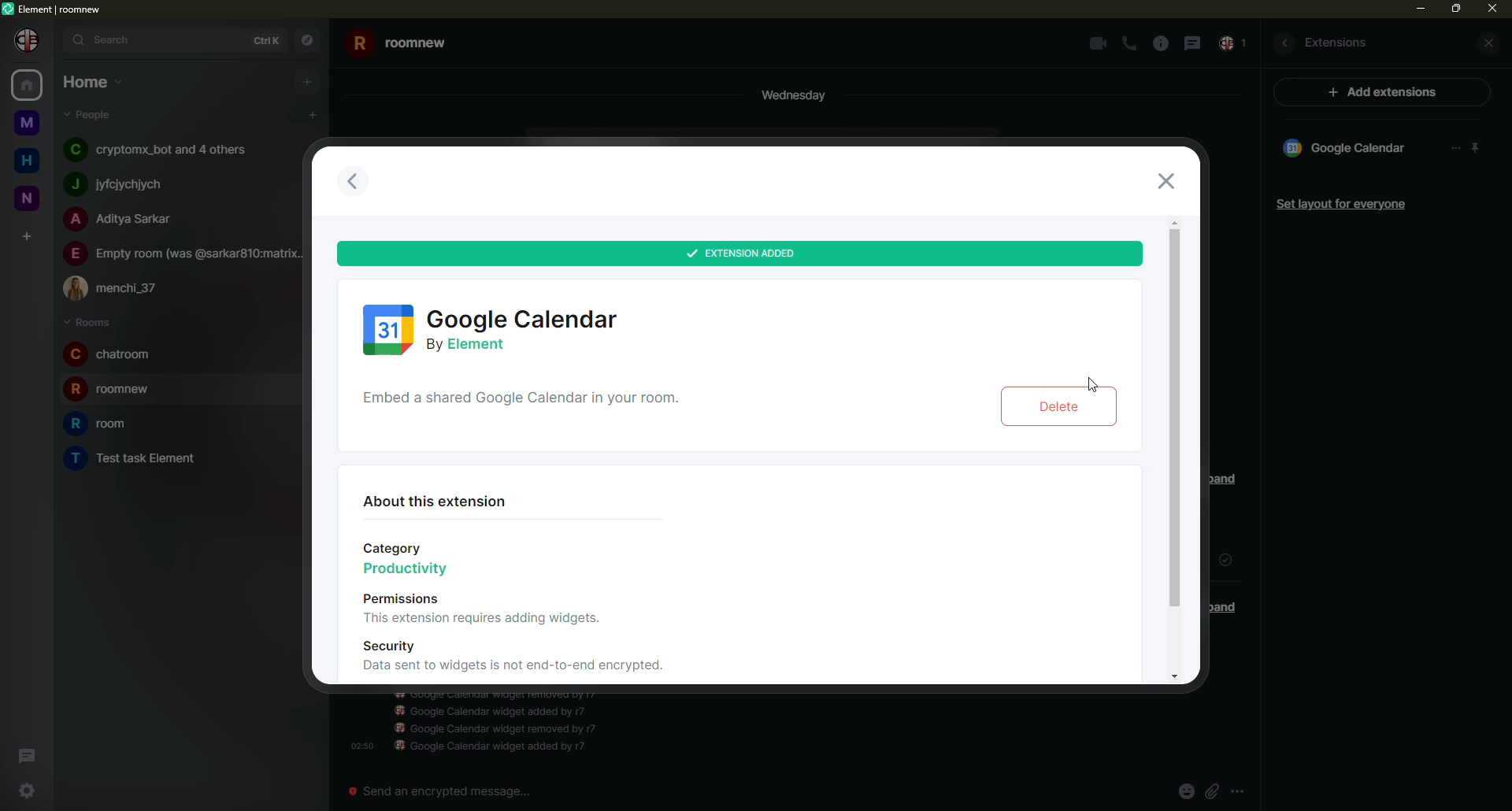  Describe the element at coordinates (267, 39) in the screenshot. I see `ctrlK` at that location.